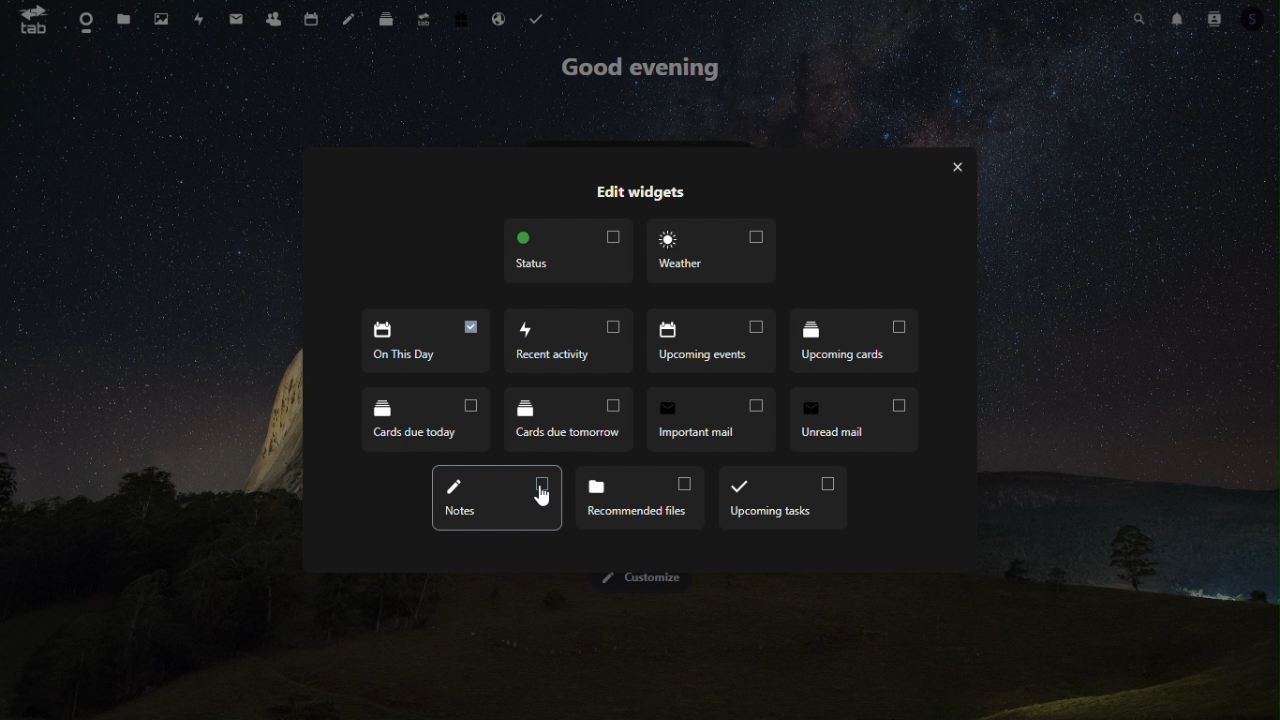  Describe the element at coordinates (1259, 18) in the screenshot. I see `Account icon` at that location.